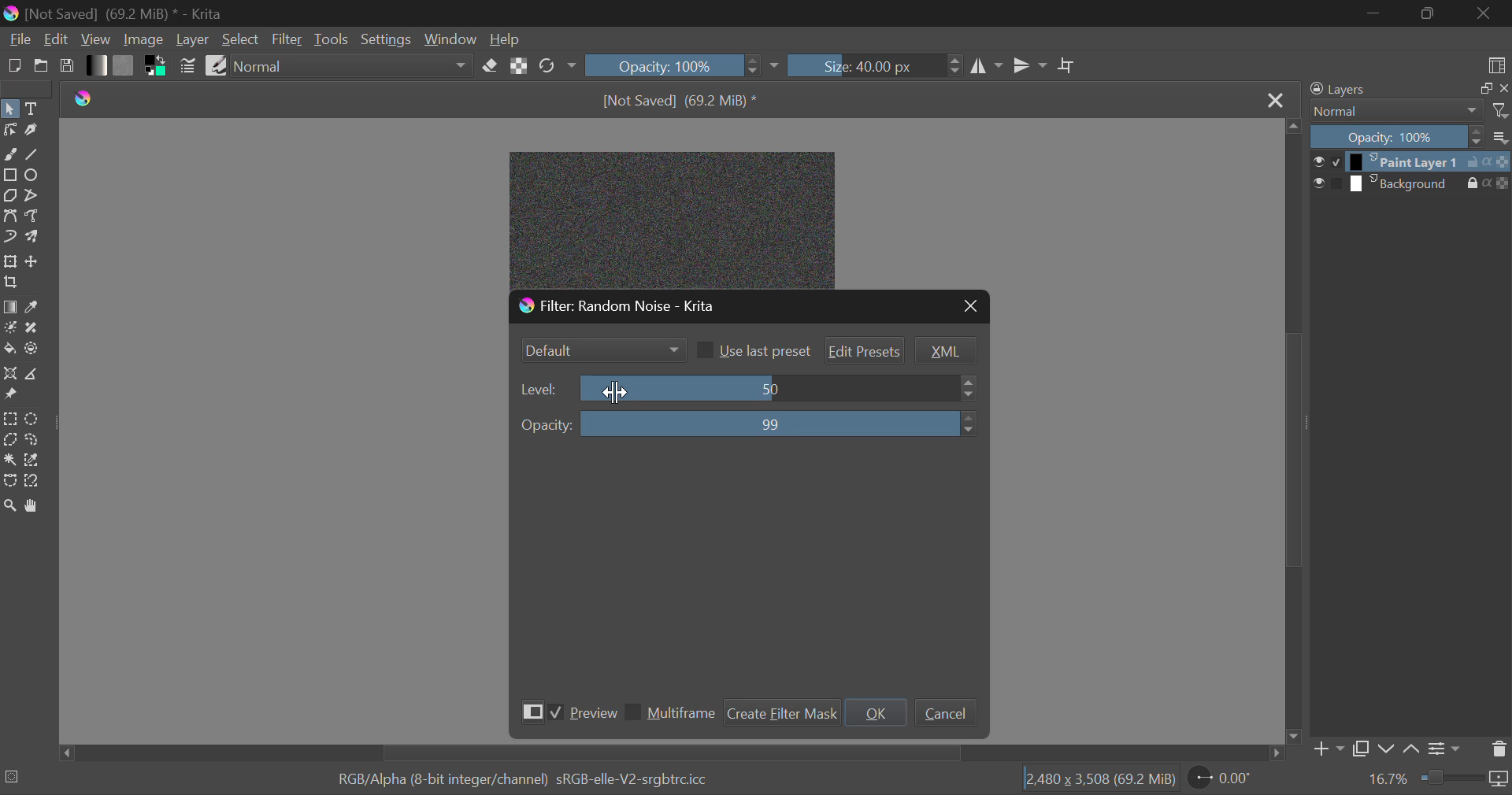  Describe the element at coordinates (1462, 183) in the screenshot. I see `lock` at that location.